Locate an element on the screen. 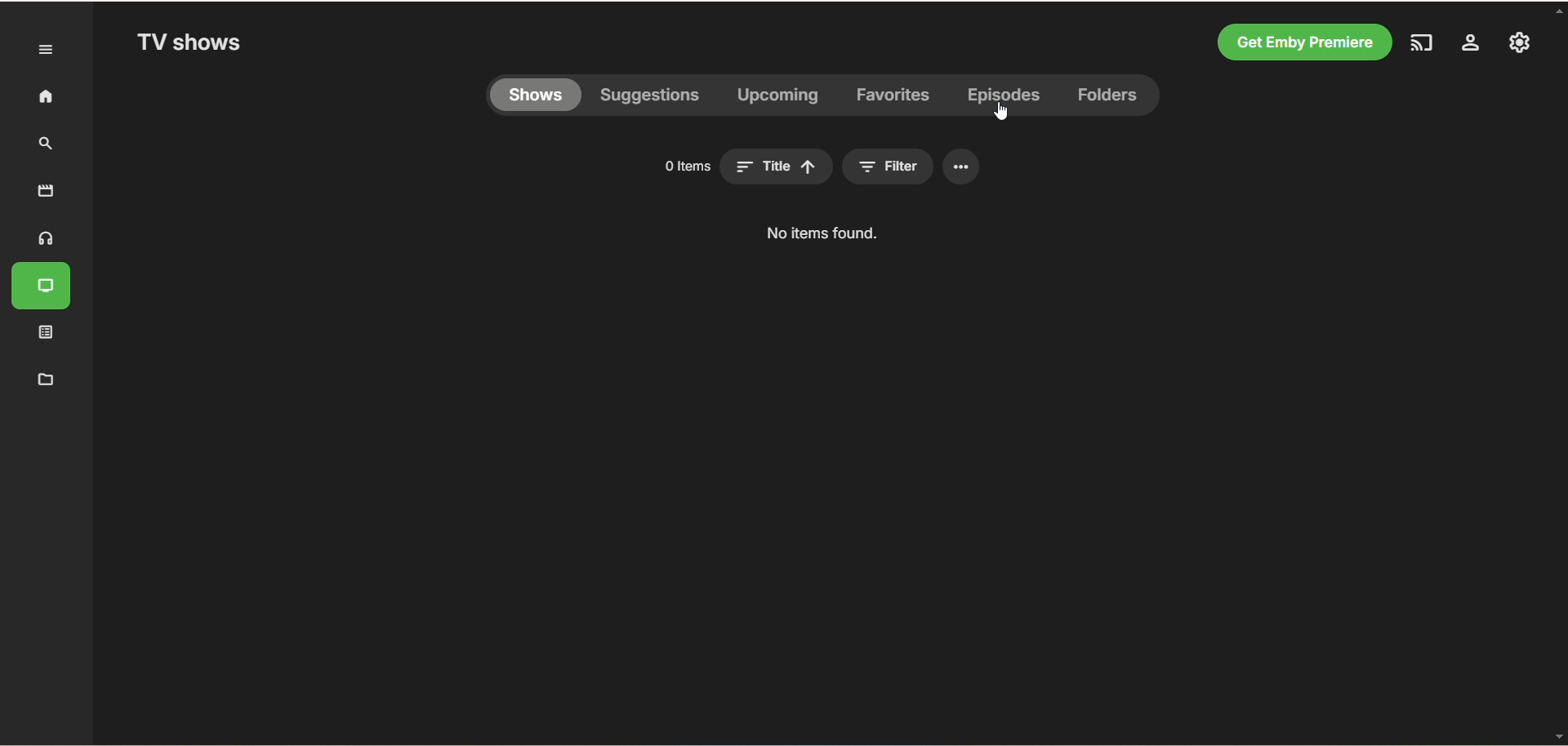 This screenshot has width=1568, height=746. filter is located at coordinates (889, 167).